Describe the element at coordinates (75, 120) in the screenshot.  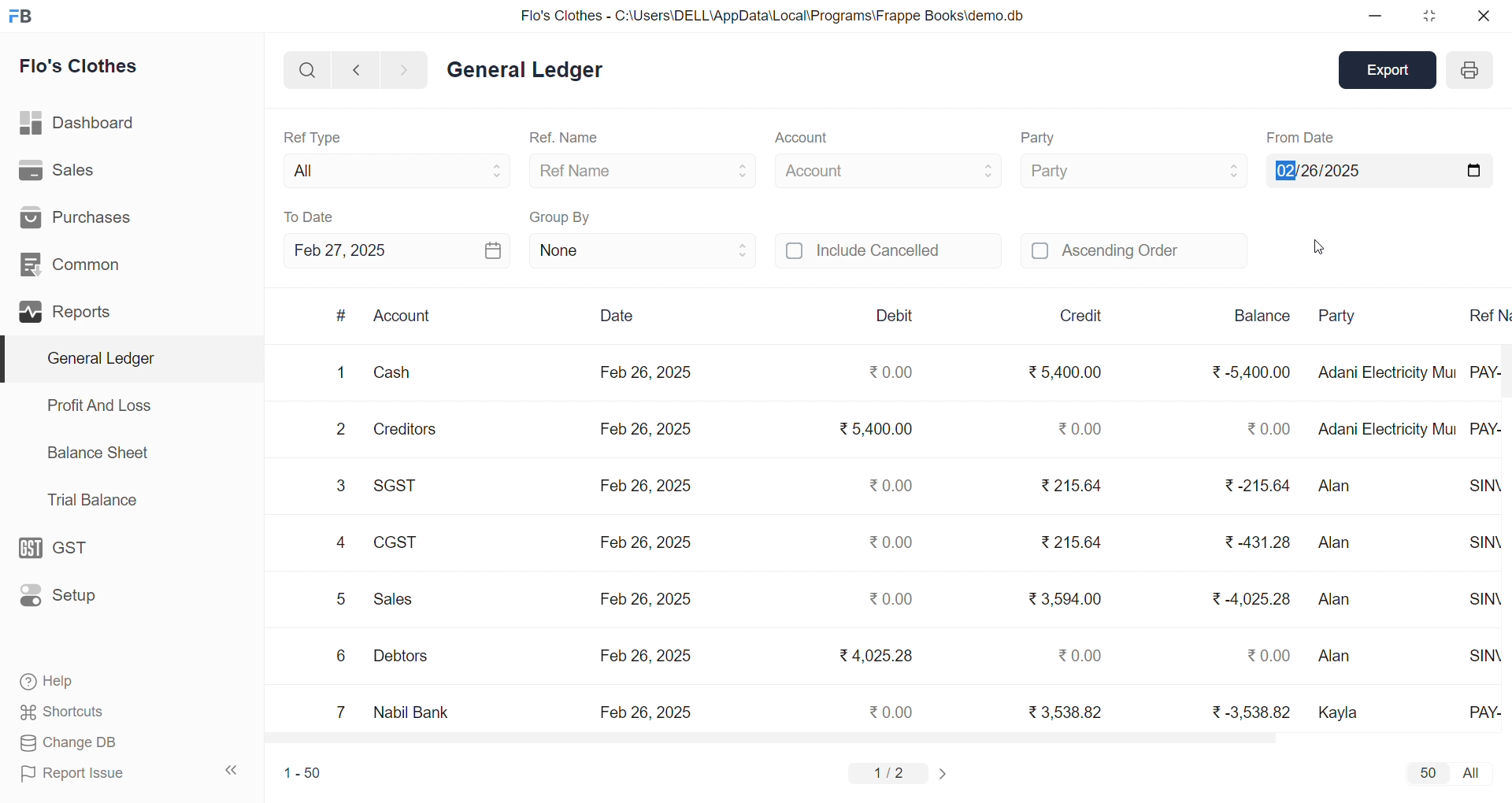
I see `Dashboard` at that location.